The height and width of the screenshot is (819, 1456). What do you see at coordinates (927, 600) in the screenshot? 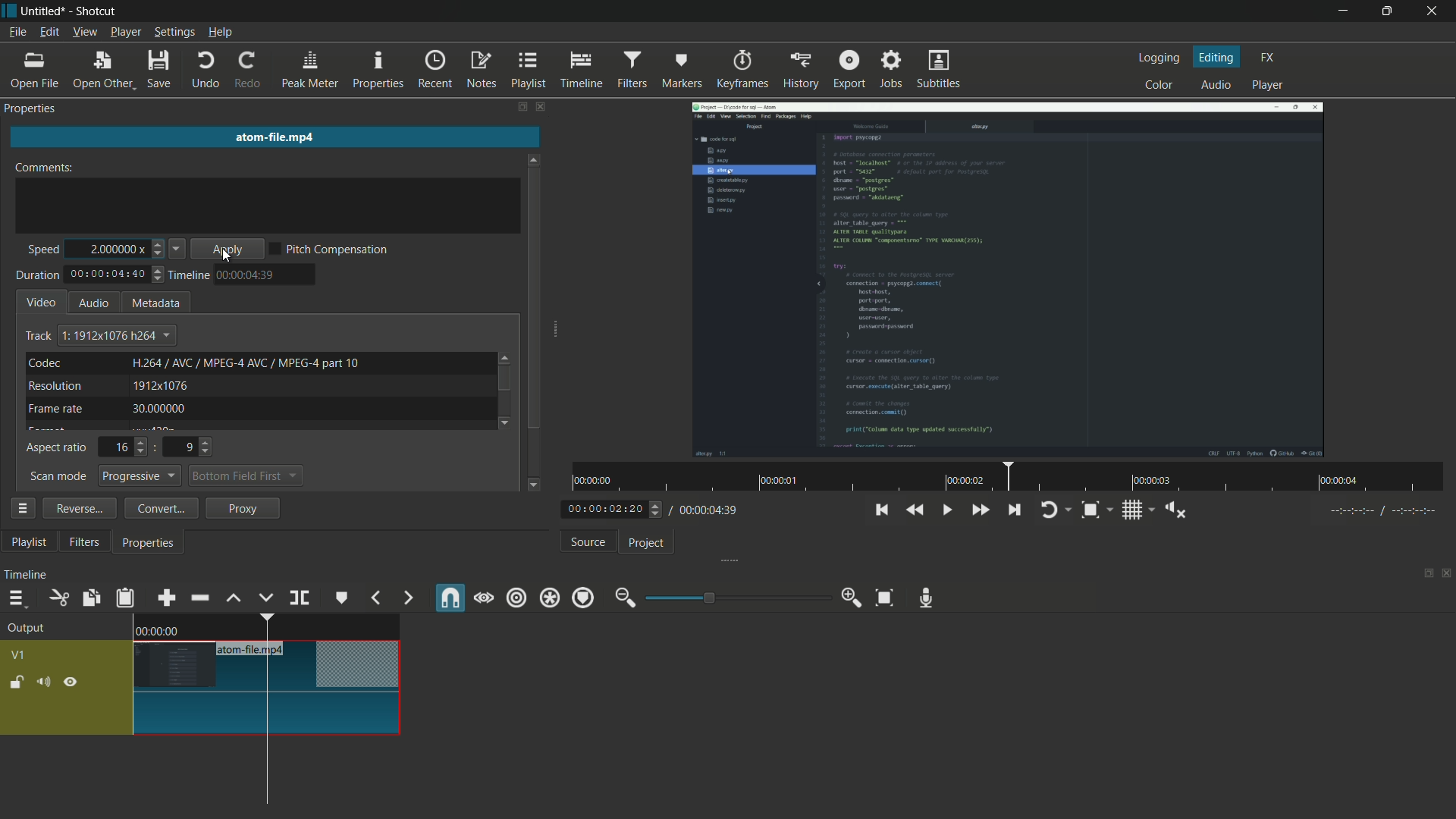
I see `record audio` at bounding box center [927, 600].